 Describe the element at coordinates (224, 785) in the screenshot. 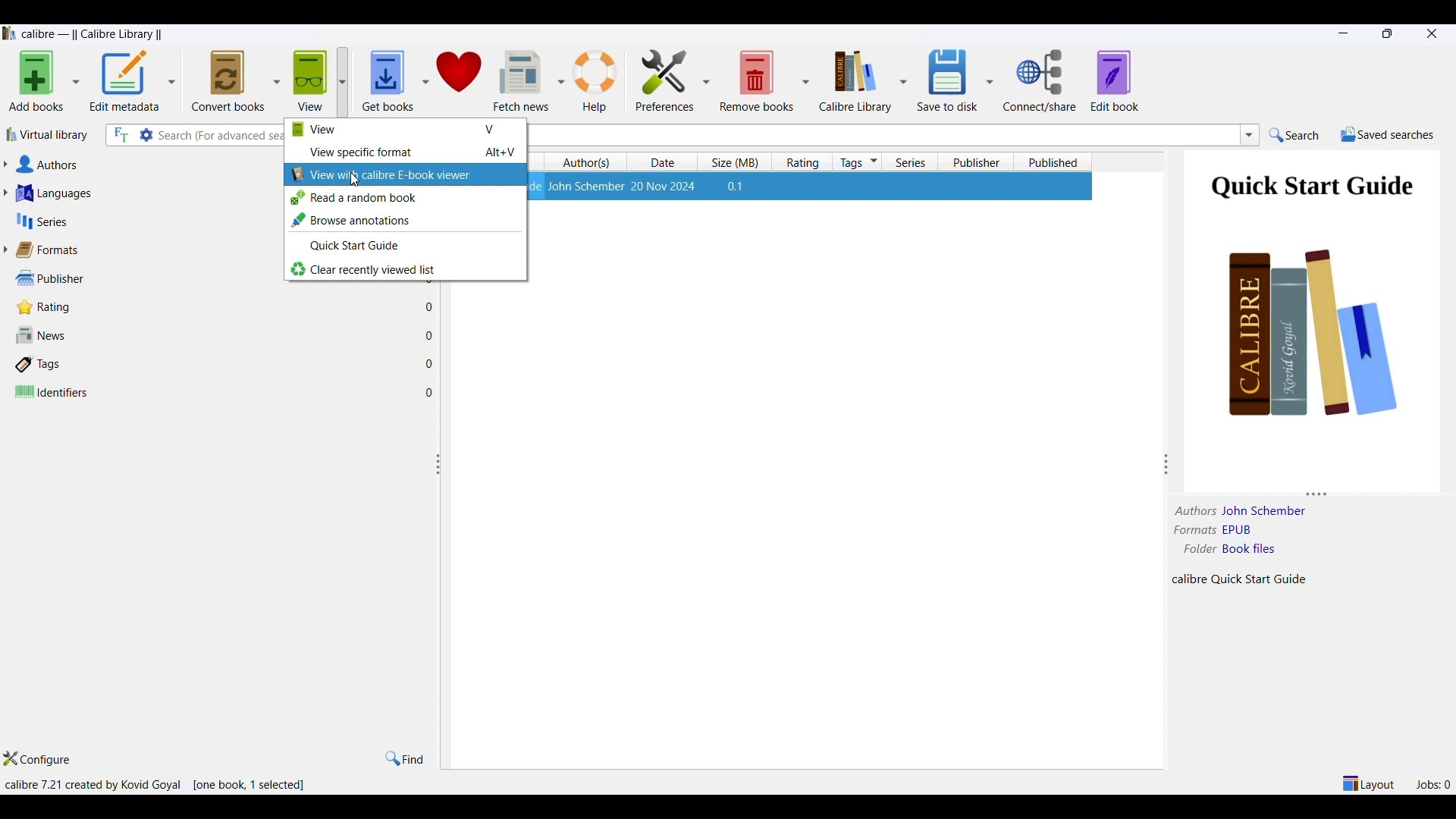

I see `total books` at that location.